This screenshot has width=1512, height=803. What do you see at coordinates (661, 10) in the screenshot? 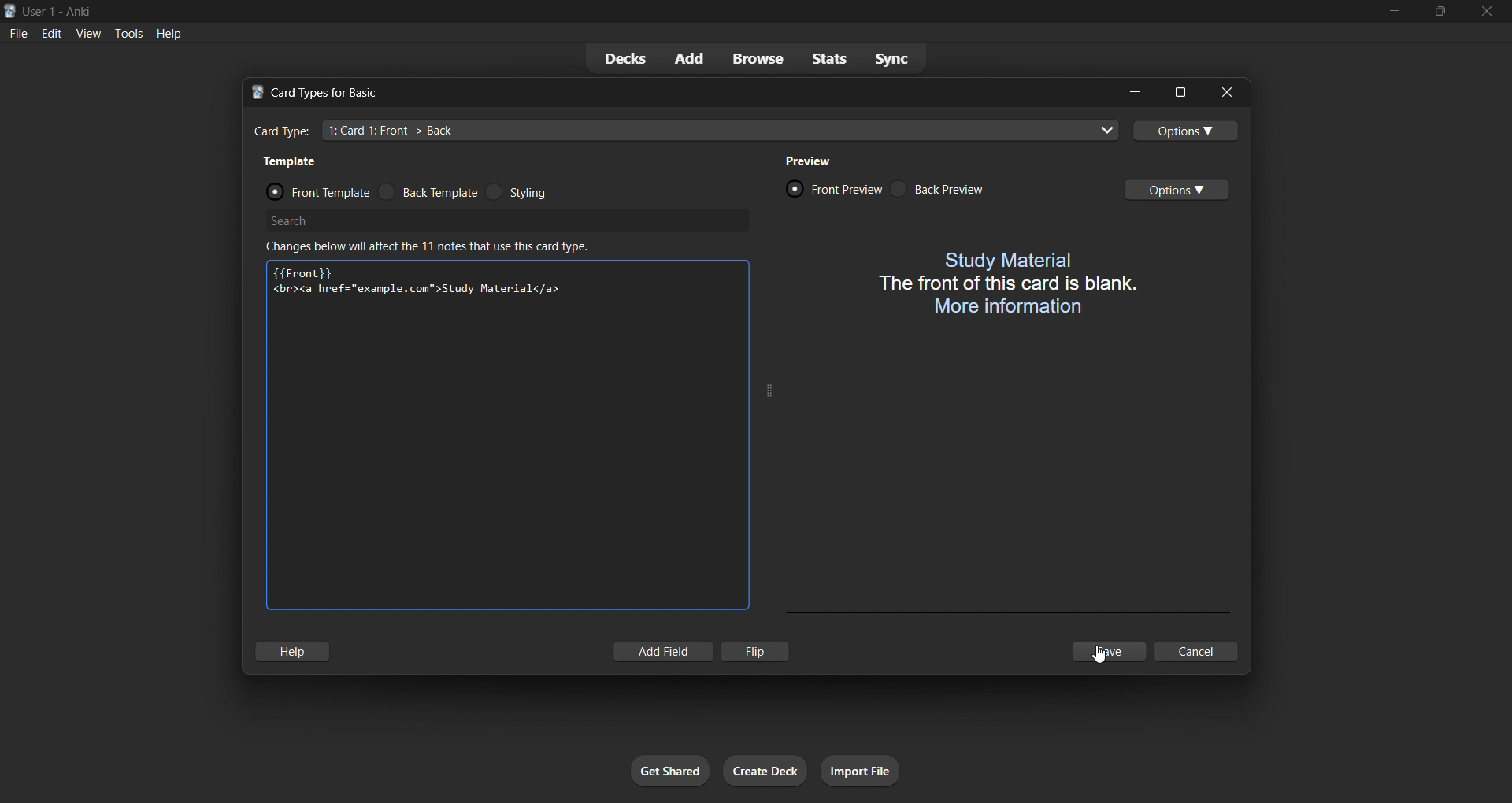
I see `title bar` at bounding box center [661, 10].